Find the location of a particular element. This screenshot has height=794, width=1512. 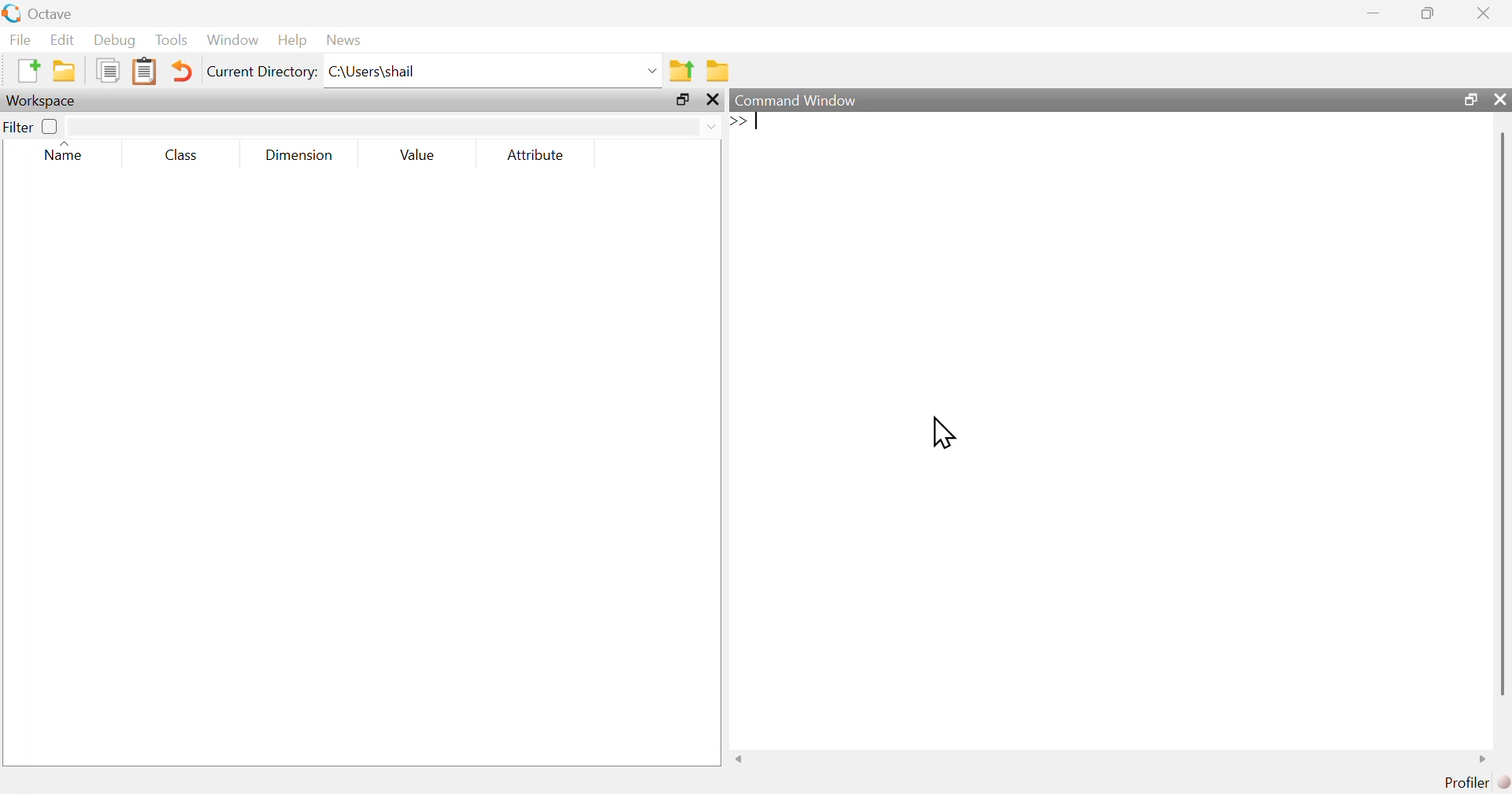

Current Directory: is located at coordinates (261, 72).